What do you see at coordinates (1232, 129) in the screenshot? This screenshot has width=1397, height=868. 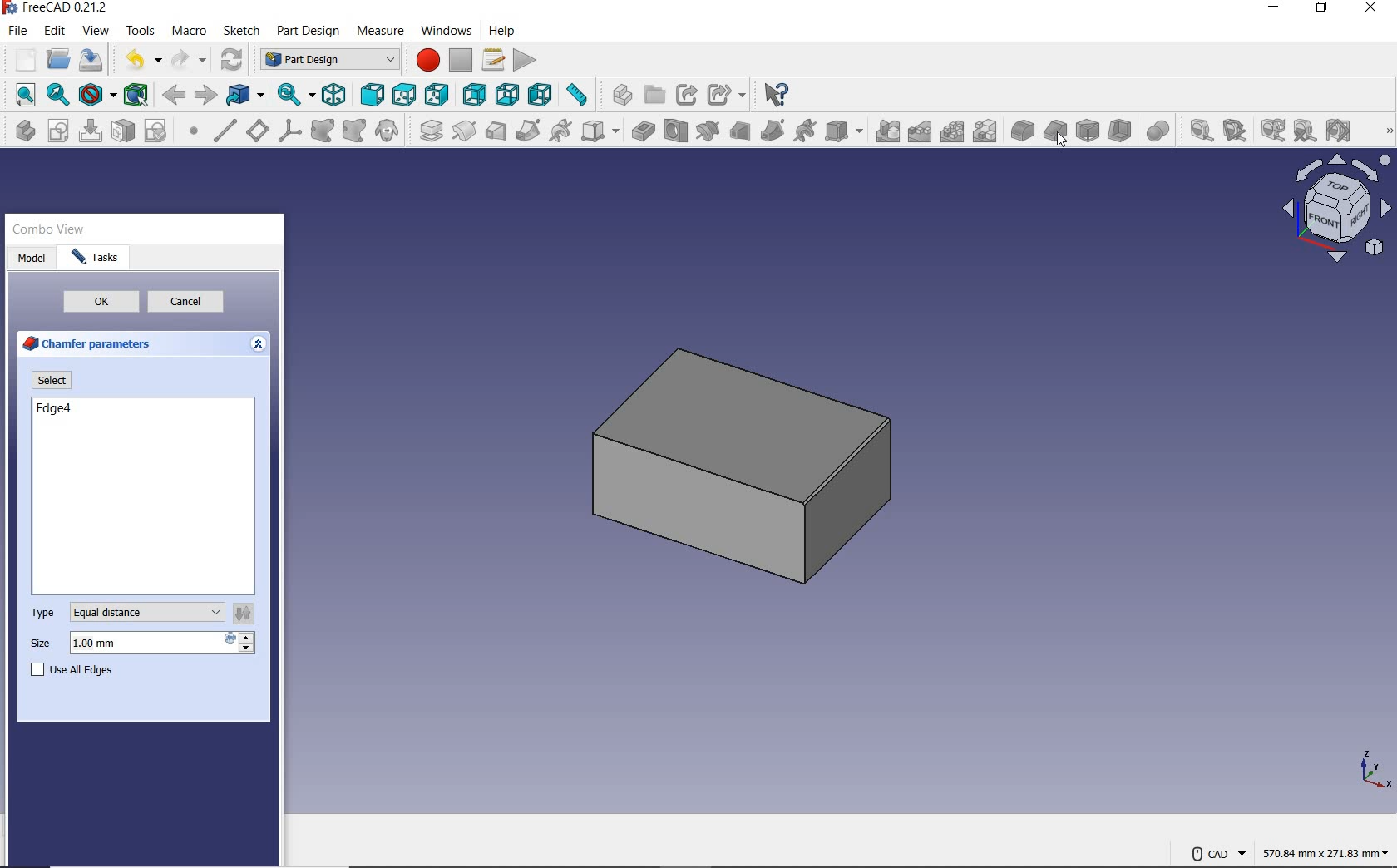 I see `measure angular` at bounding box center [1232, 129].